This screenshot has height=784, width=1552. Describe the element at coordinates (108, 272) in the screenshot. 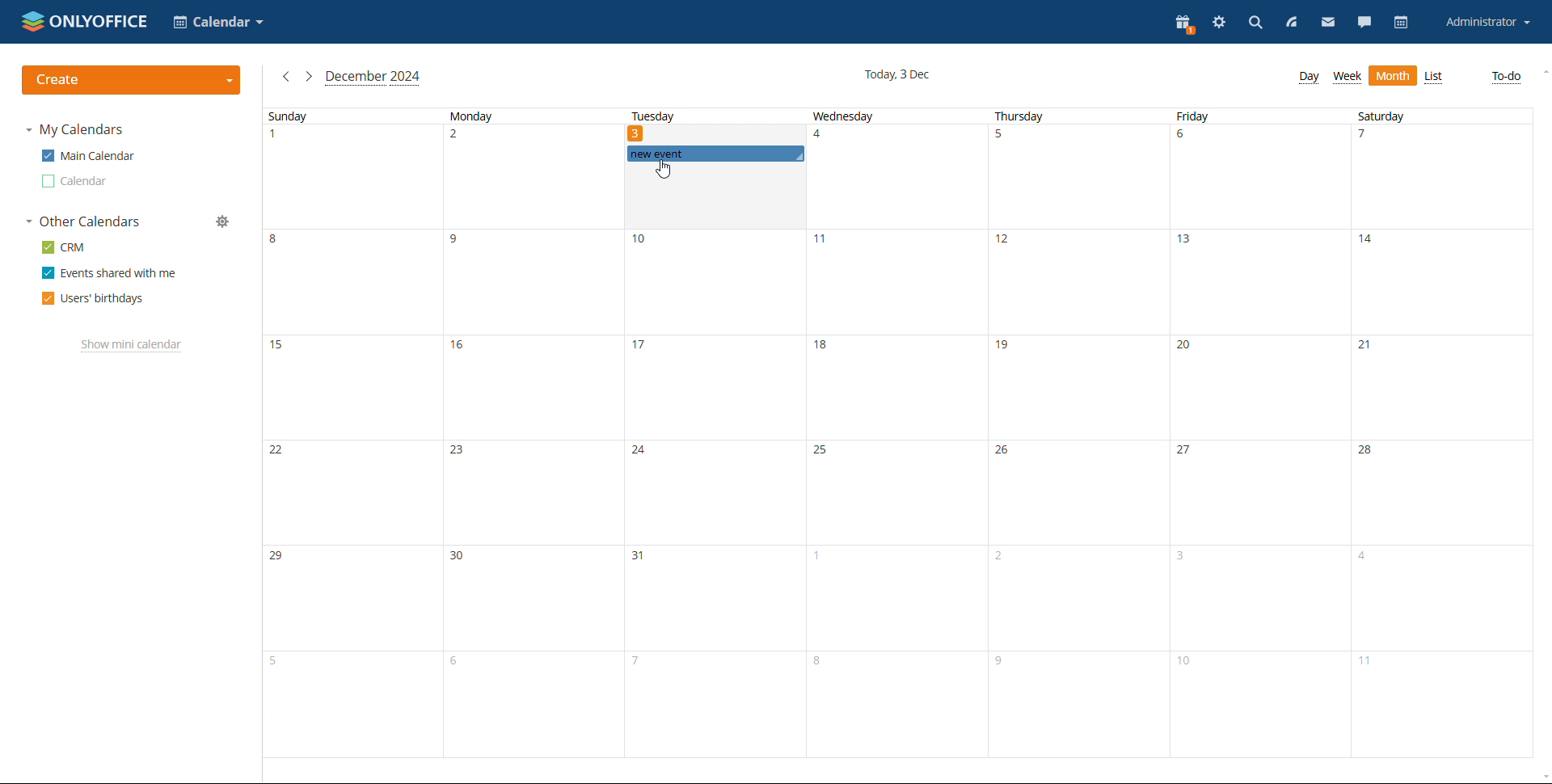

I see `events shared with me` at that location.